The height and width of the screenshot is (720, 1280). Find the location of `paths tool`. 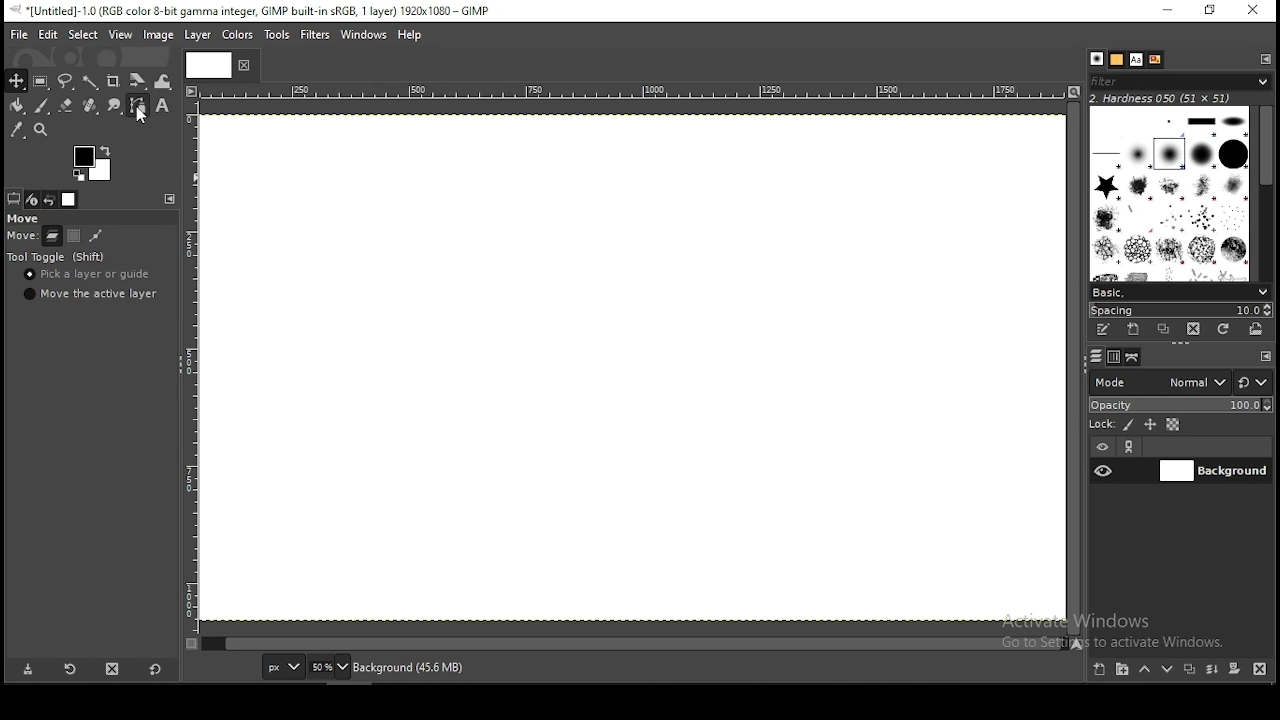

paths tool is located at coordinates (138, 106).